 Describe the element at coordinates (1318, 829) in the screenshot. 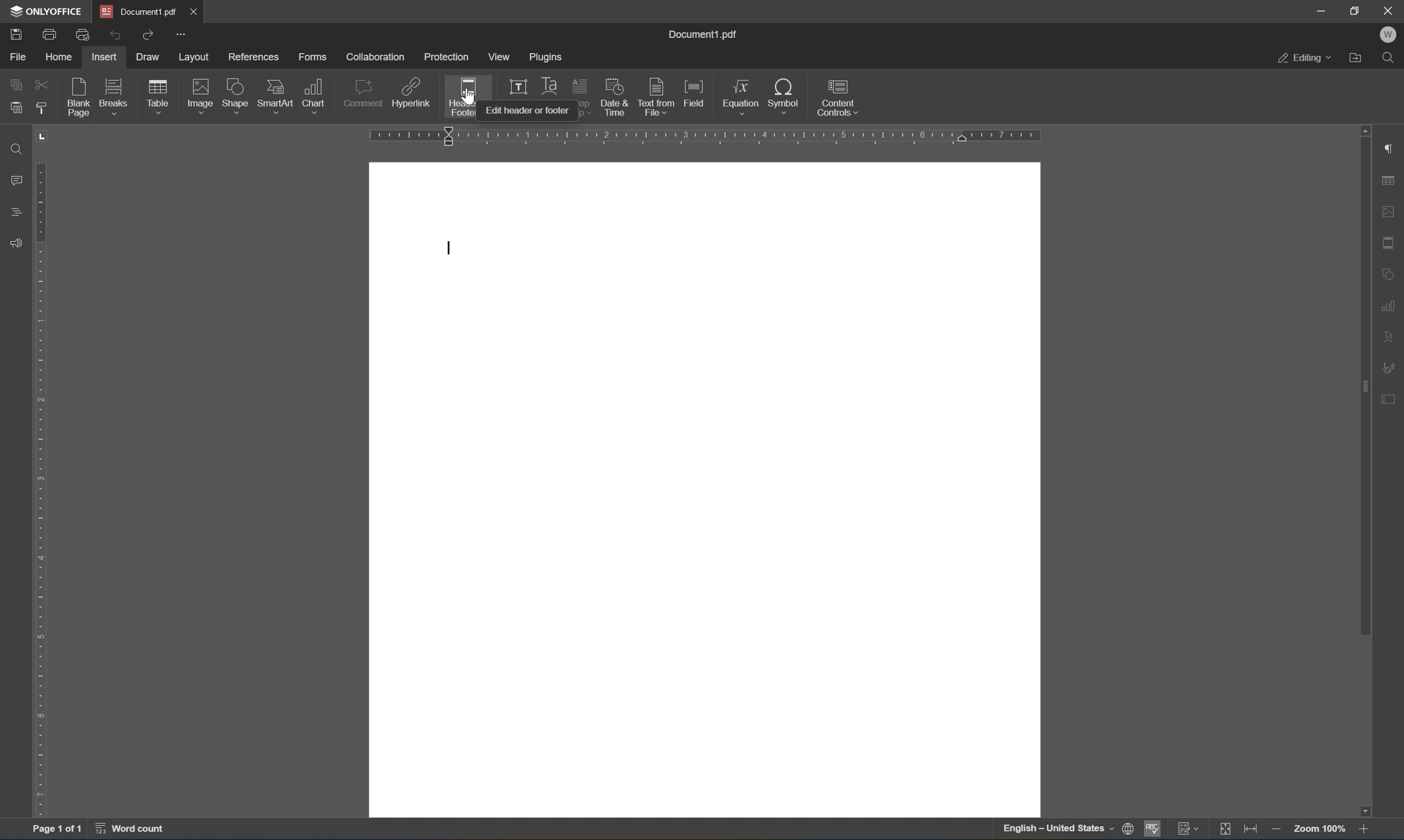

I see `zoom 100%` at that location.